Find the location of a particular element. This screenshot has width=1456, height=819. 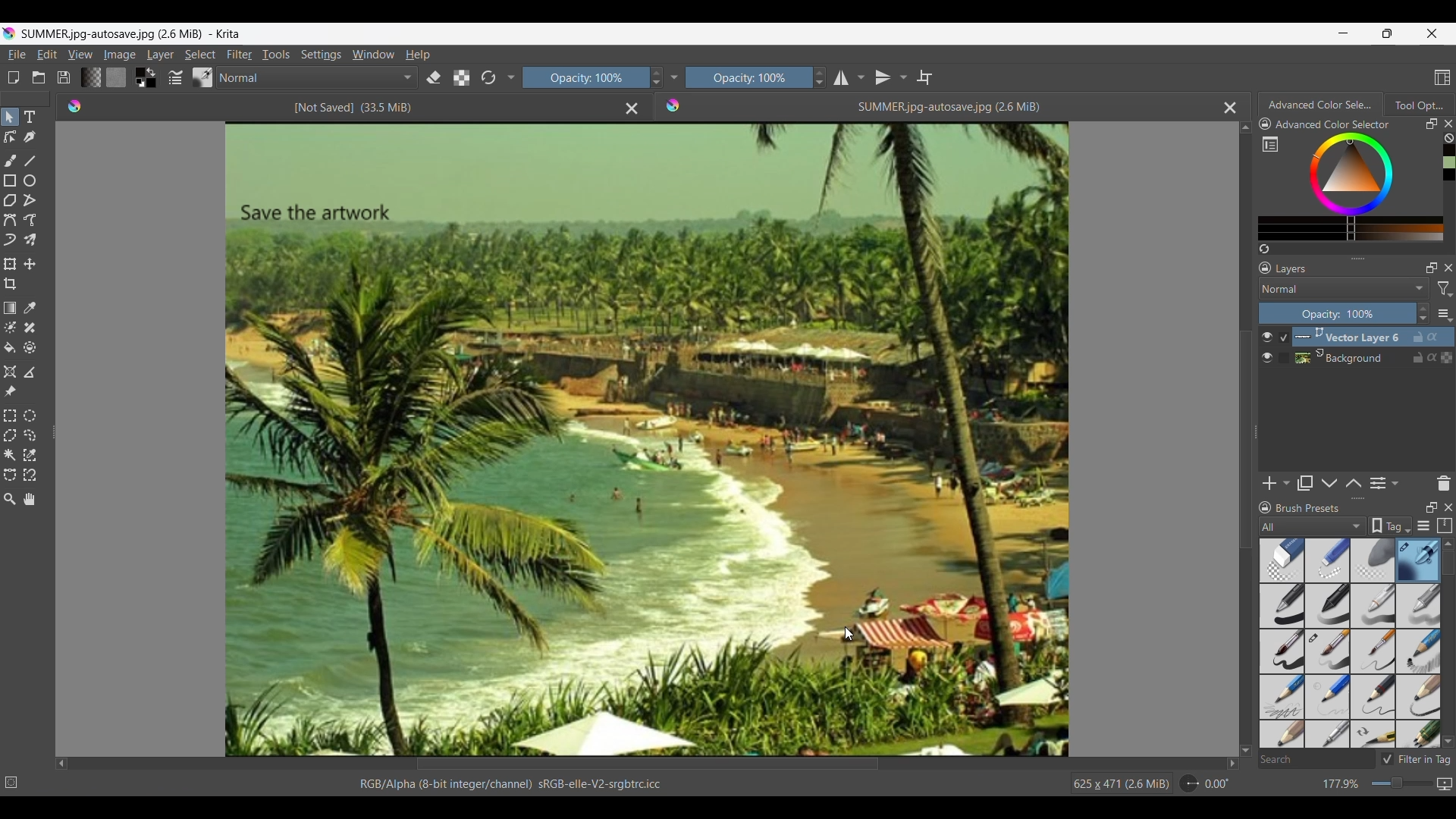

Pan tool is located at coordinates (29, 499).